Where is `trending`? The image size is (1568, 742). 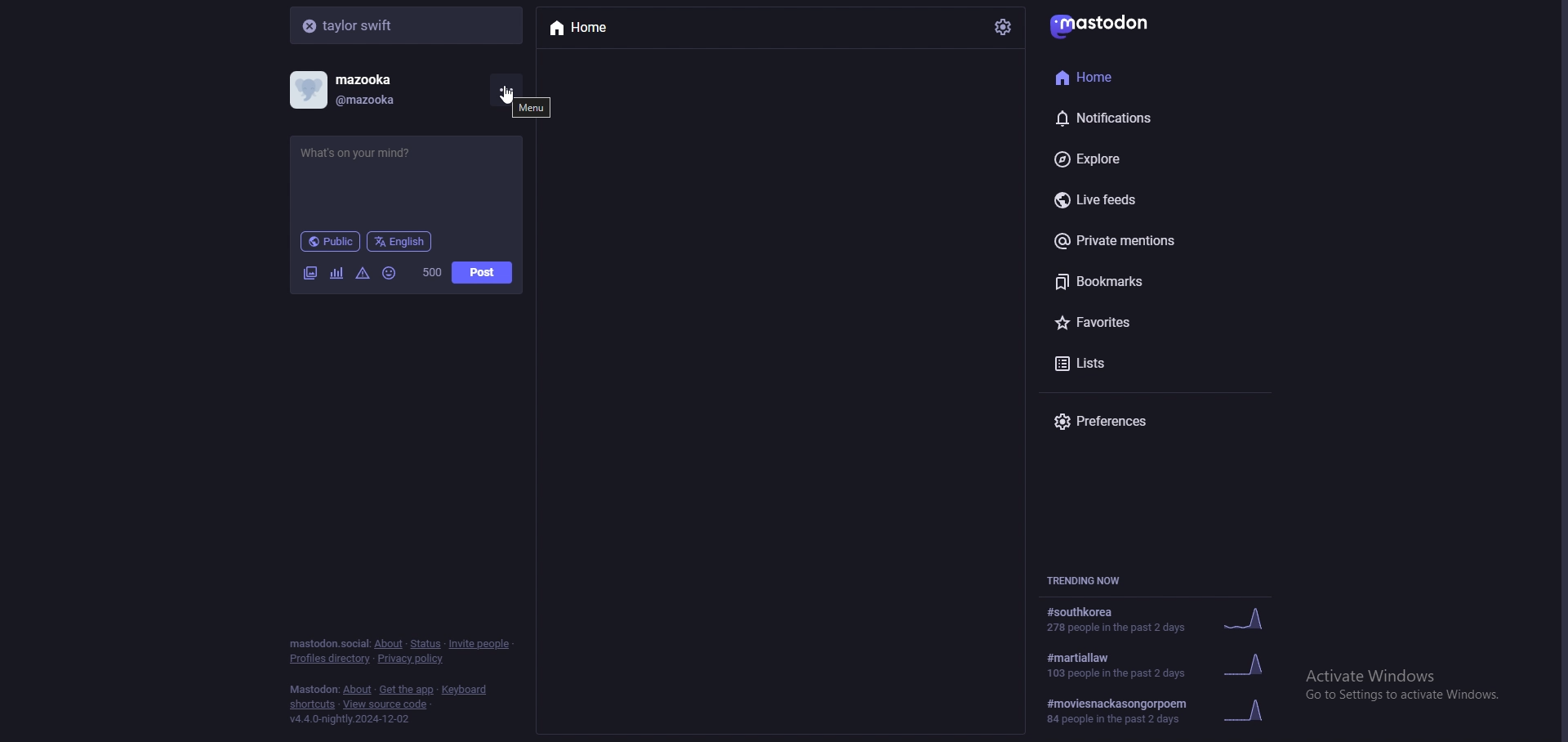 trending is located at coordinates (1153, 714).